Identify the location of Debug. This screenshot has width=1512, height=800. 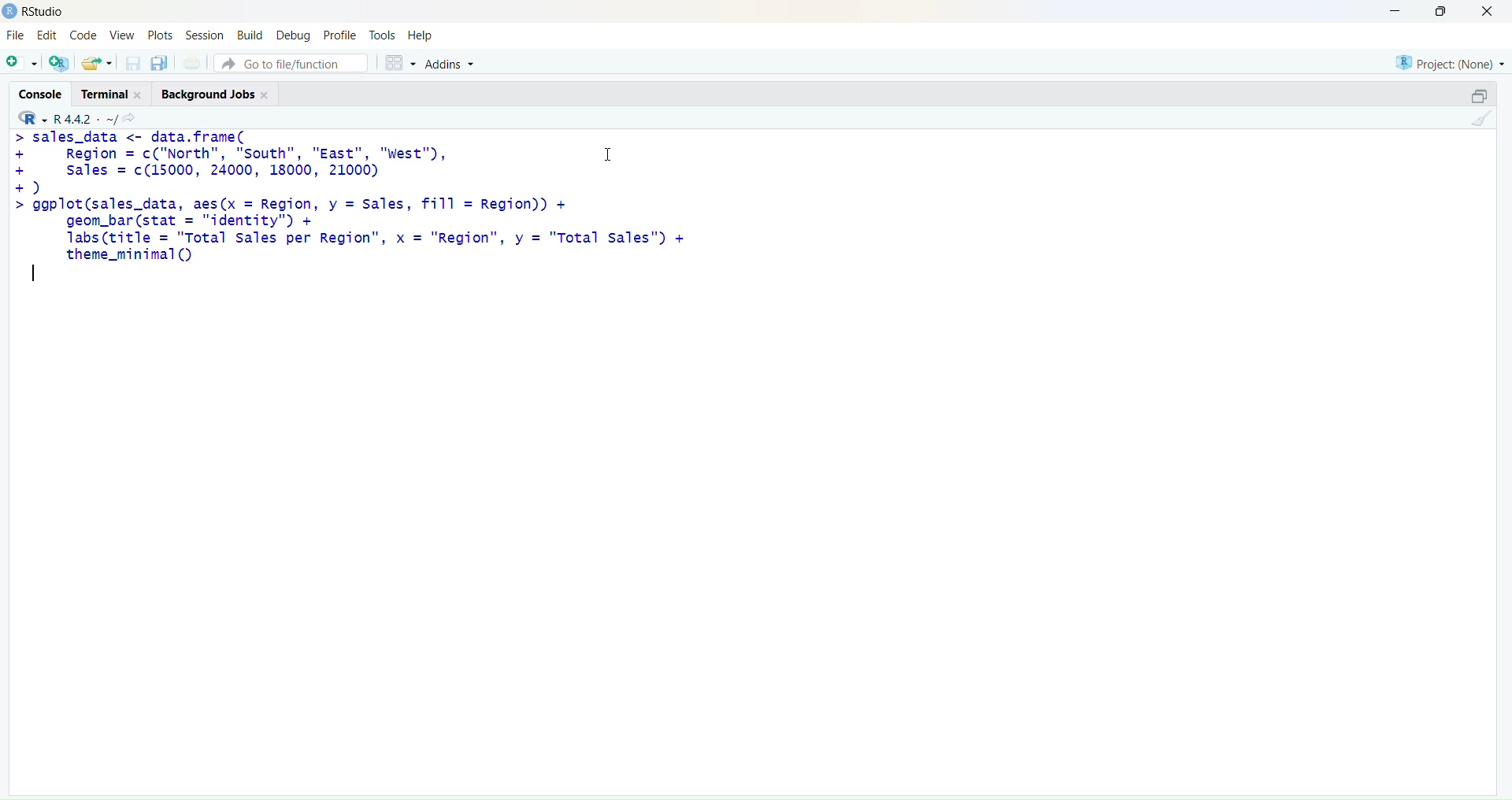
(293, 35).